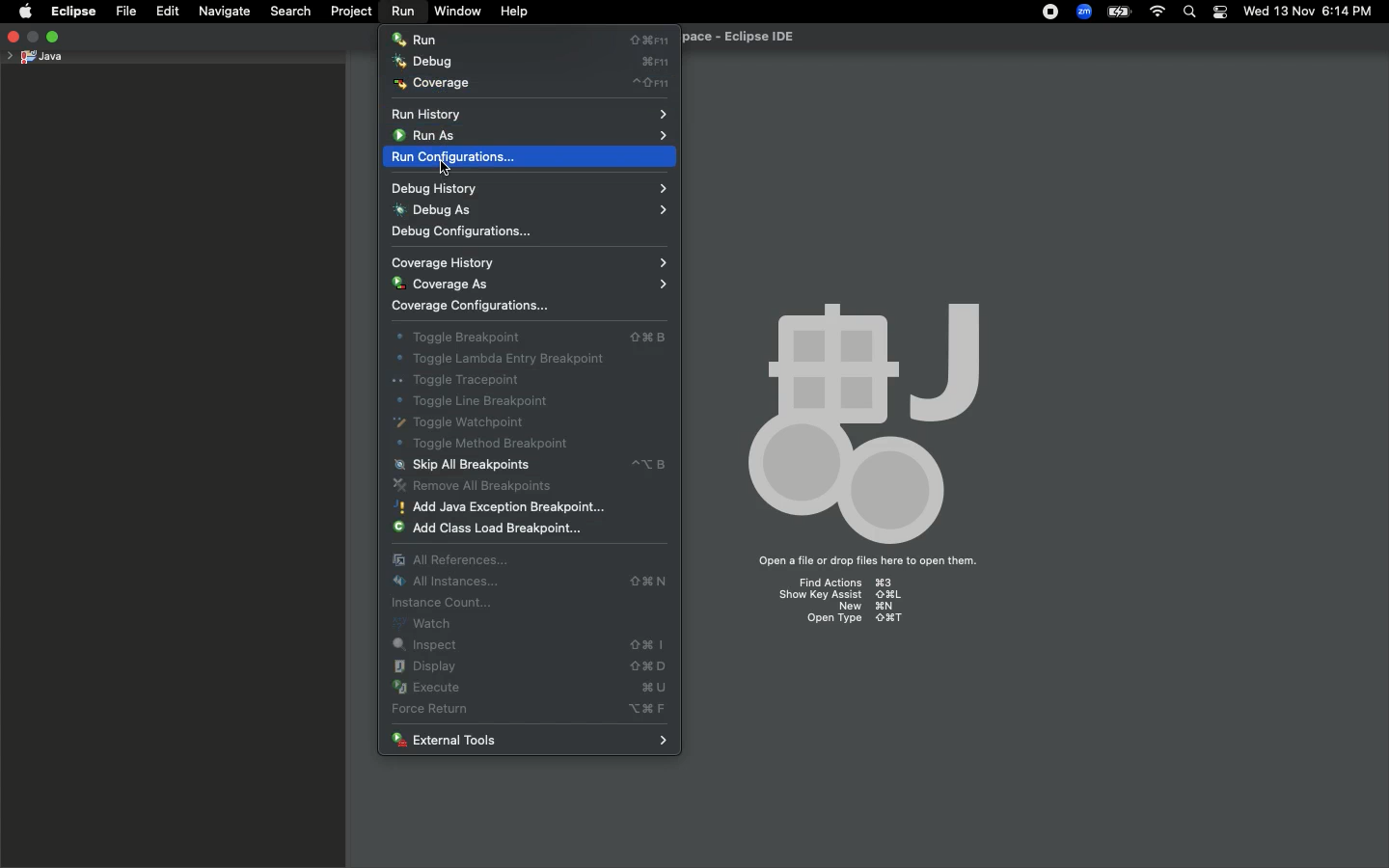  What do you see at coordinates (530, 465) in the screenshot?
I see `Skip all breakpoints` at bounding box center [530, 465].